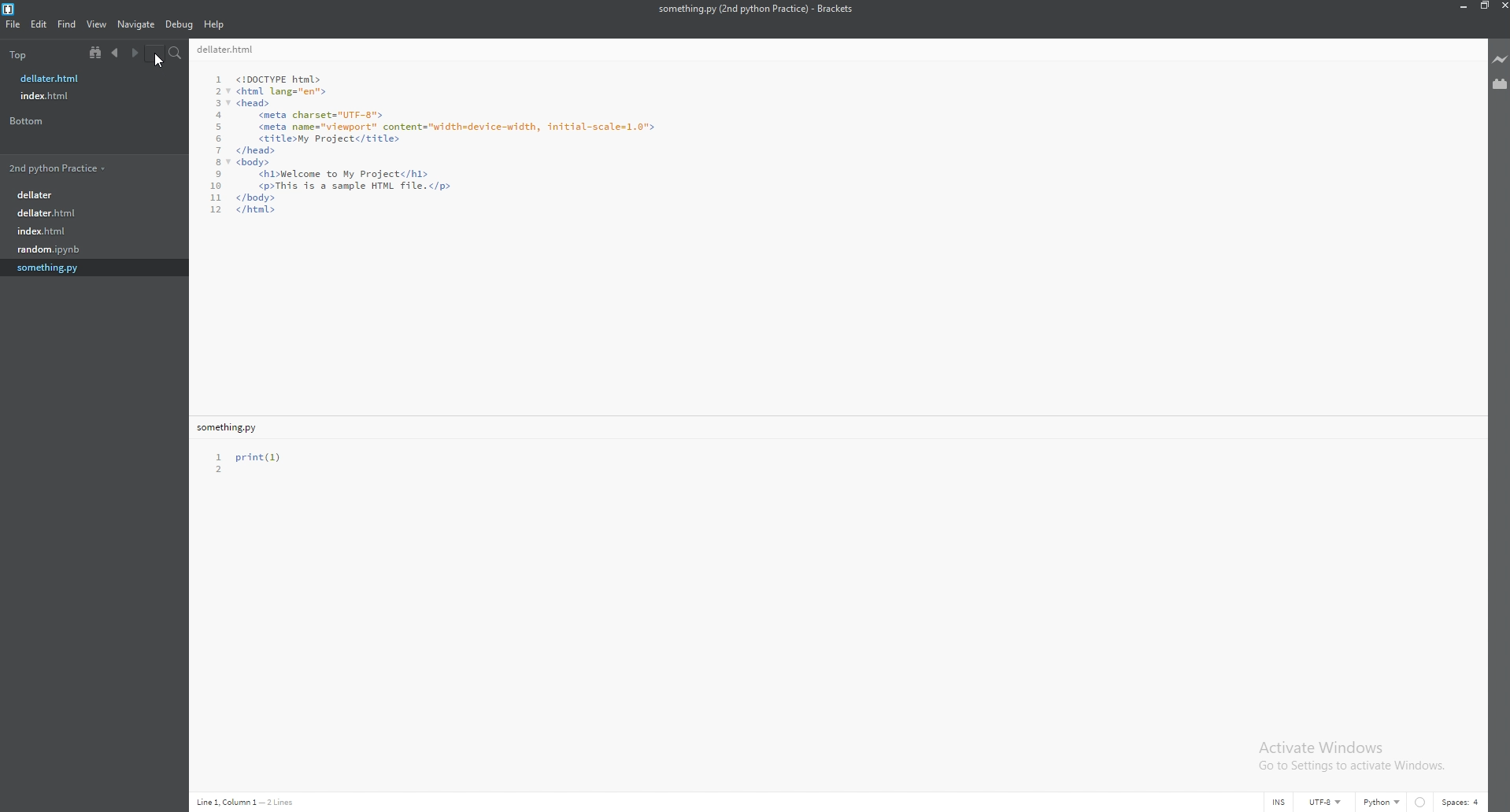 The width and height of the screenshot is (1510, 812). I want to click on code, so click(435, 144).